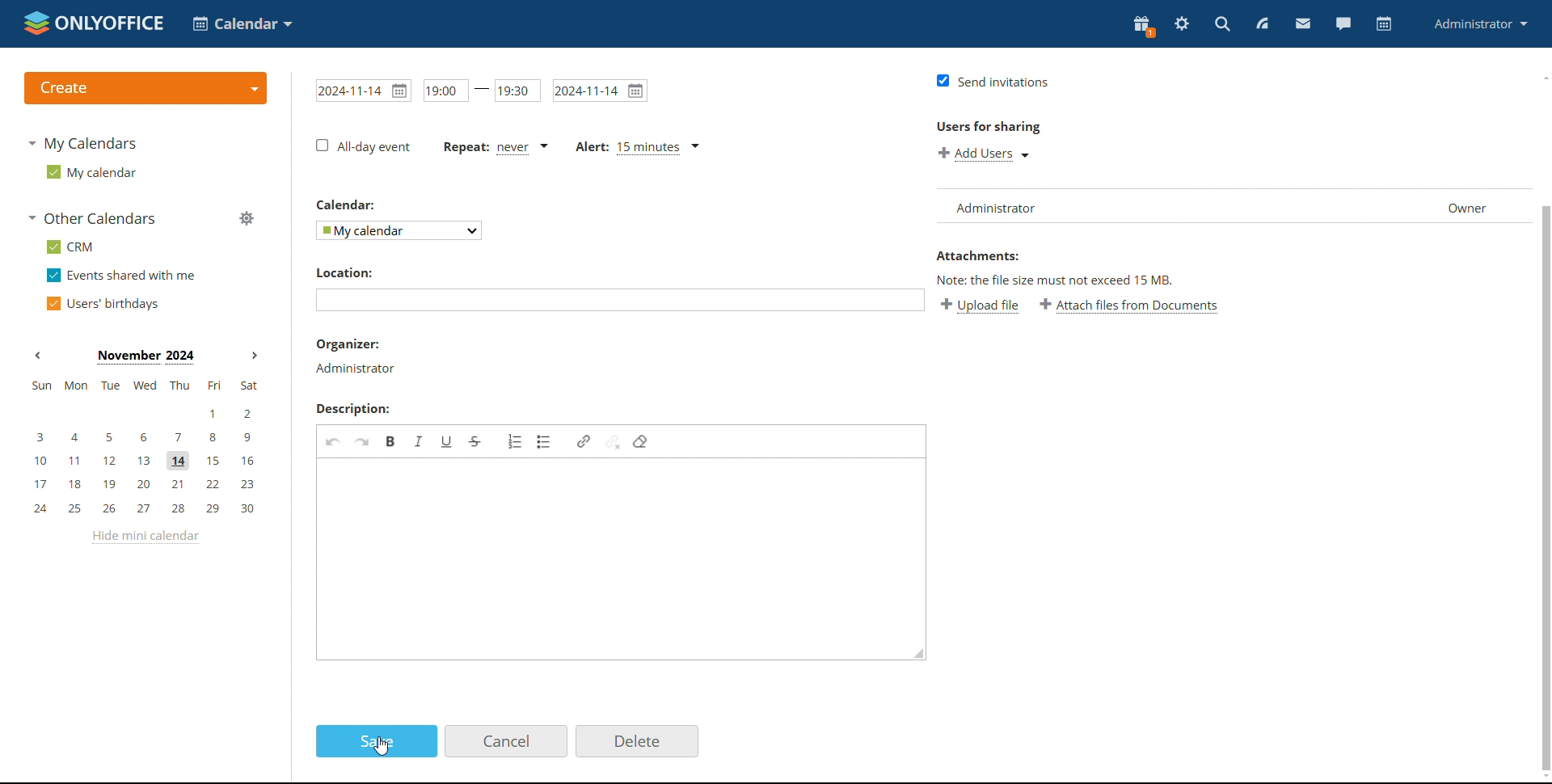 The image size is (1552, 784). What do you see at coordinates (517, 92) in the screenshot?
I see `end time` at bounding box center [517, 92].